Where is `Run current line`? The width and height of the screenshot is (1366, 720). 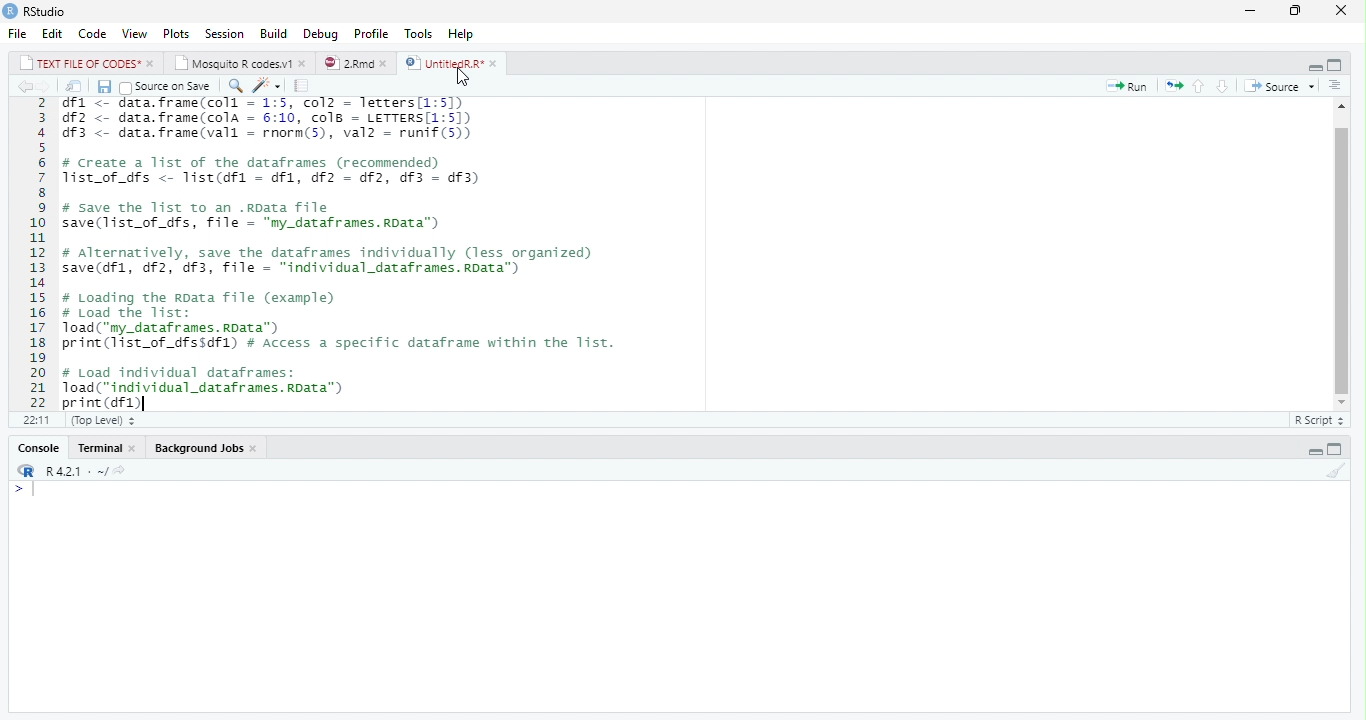 Run current line is located at coordinates (1128, 86).